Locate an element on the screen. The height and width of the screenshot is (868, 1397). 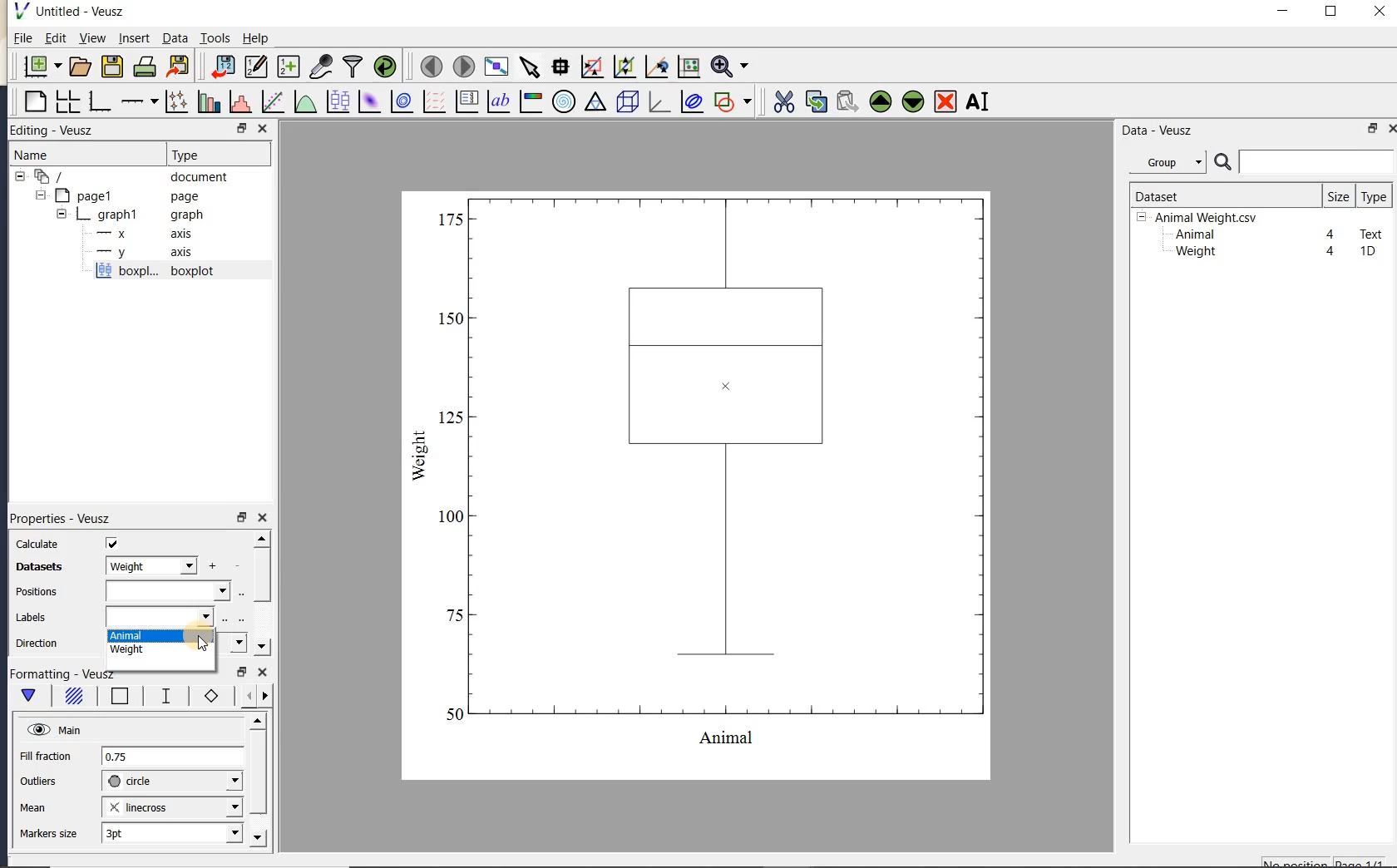
open a document is located at coordinates (78, 67).